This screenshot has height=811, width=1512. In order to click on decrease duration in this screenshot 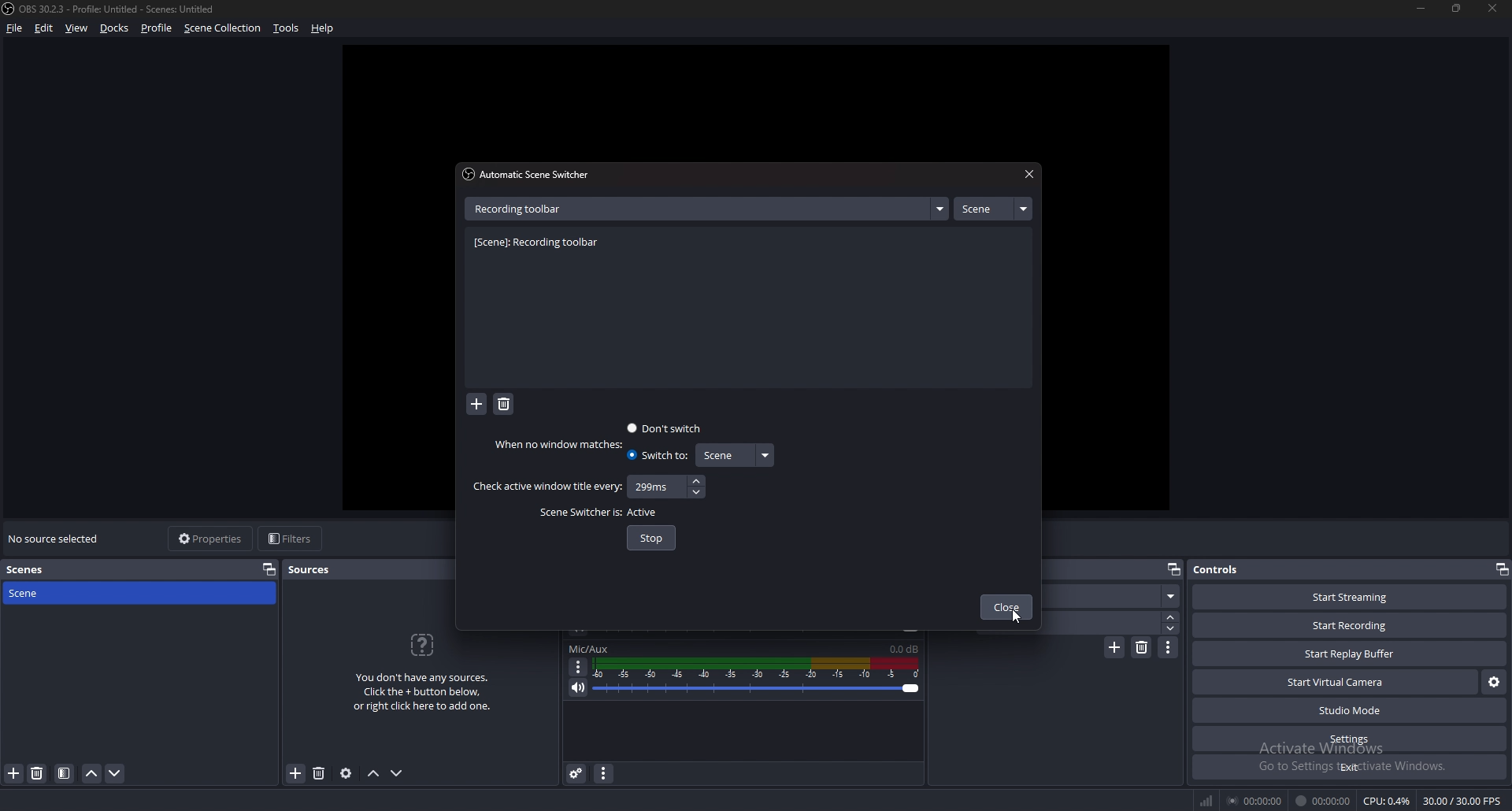, I will do `click(1173, 628)`.